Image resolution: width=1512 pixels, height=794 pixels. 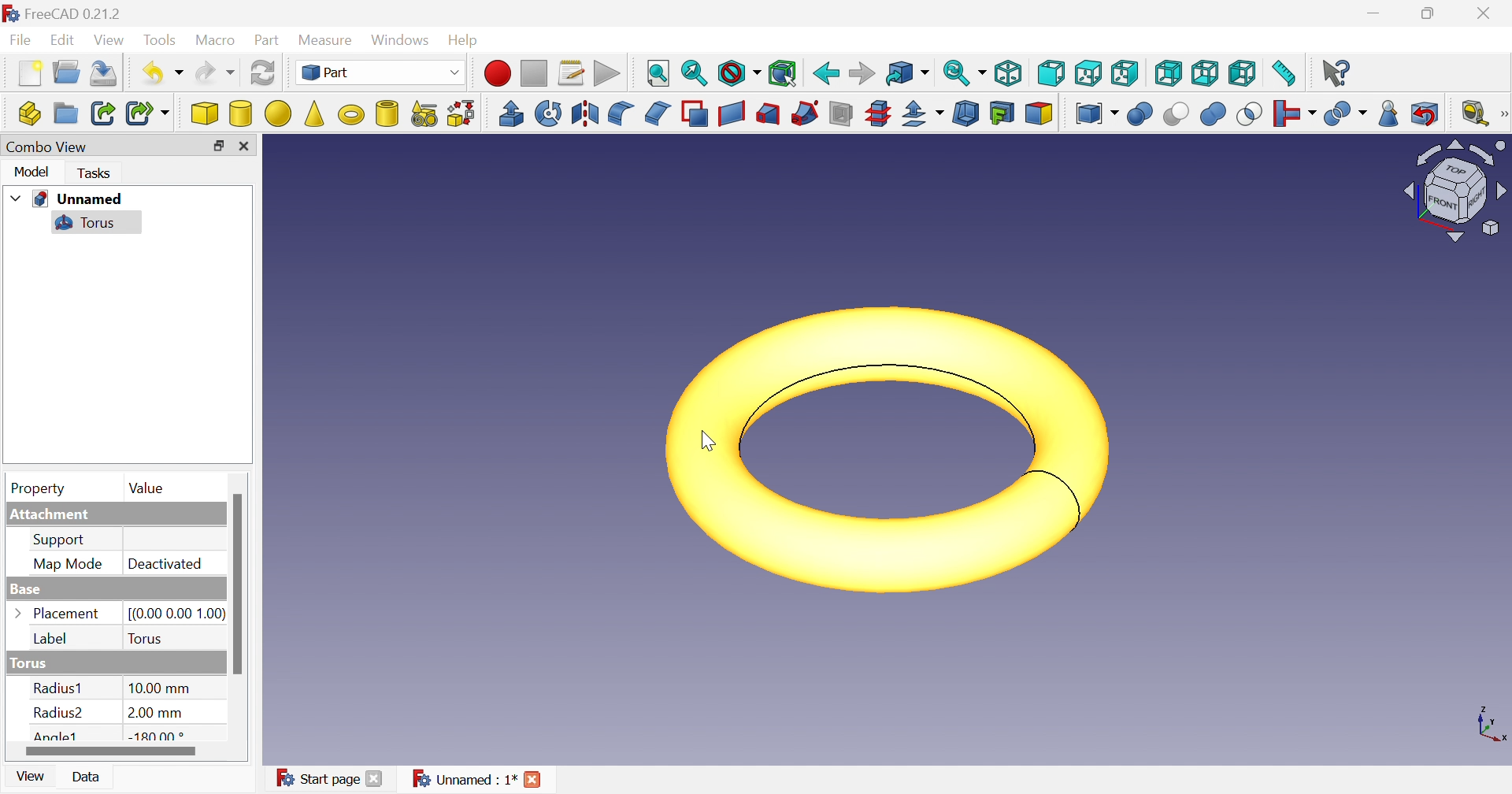 I want to click on Create primitives, so click(x=426, y=114).